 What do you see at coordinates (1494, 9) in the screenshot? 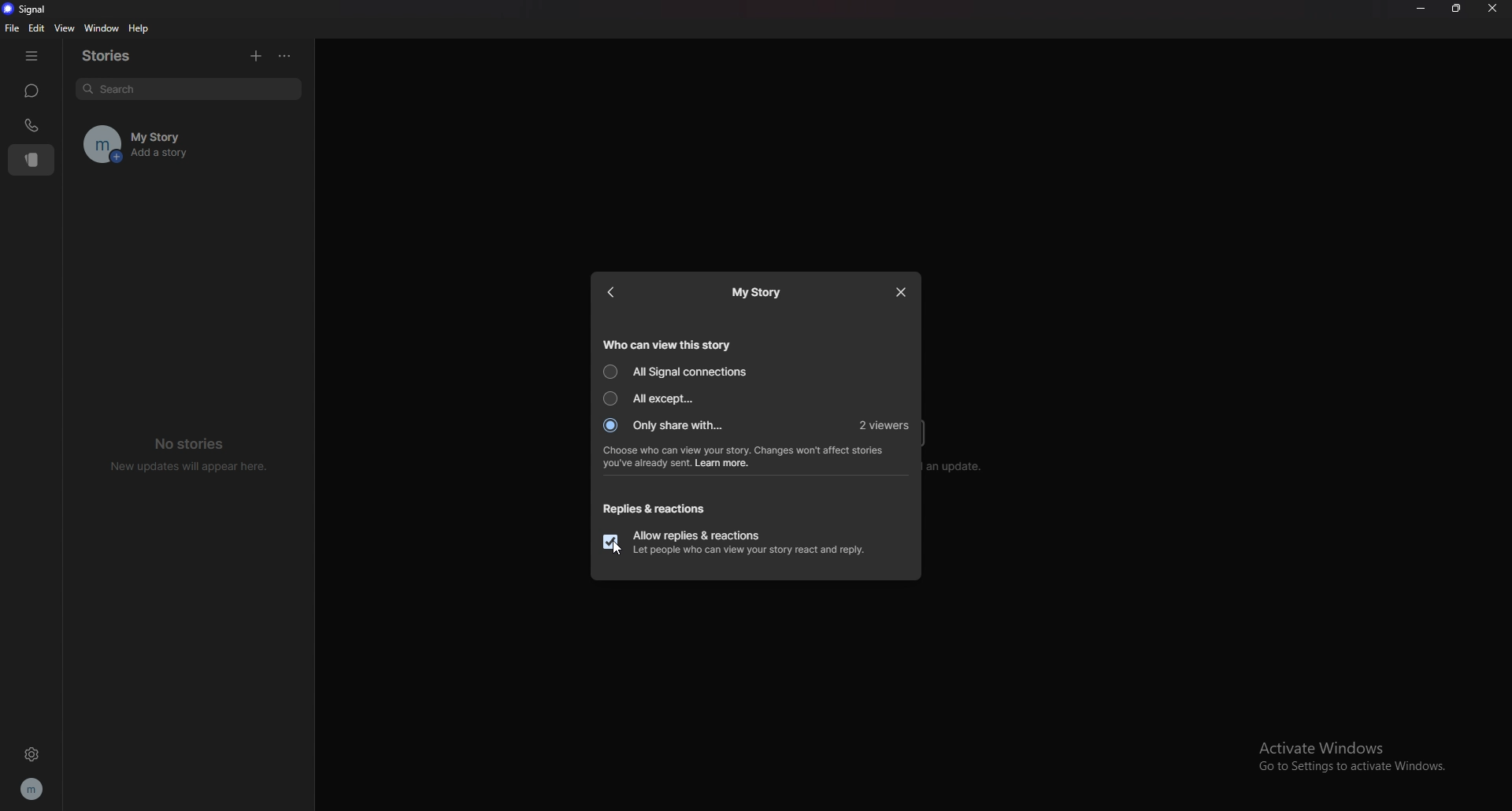
I see `close` at bounding box center [1494, 9].